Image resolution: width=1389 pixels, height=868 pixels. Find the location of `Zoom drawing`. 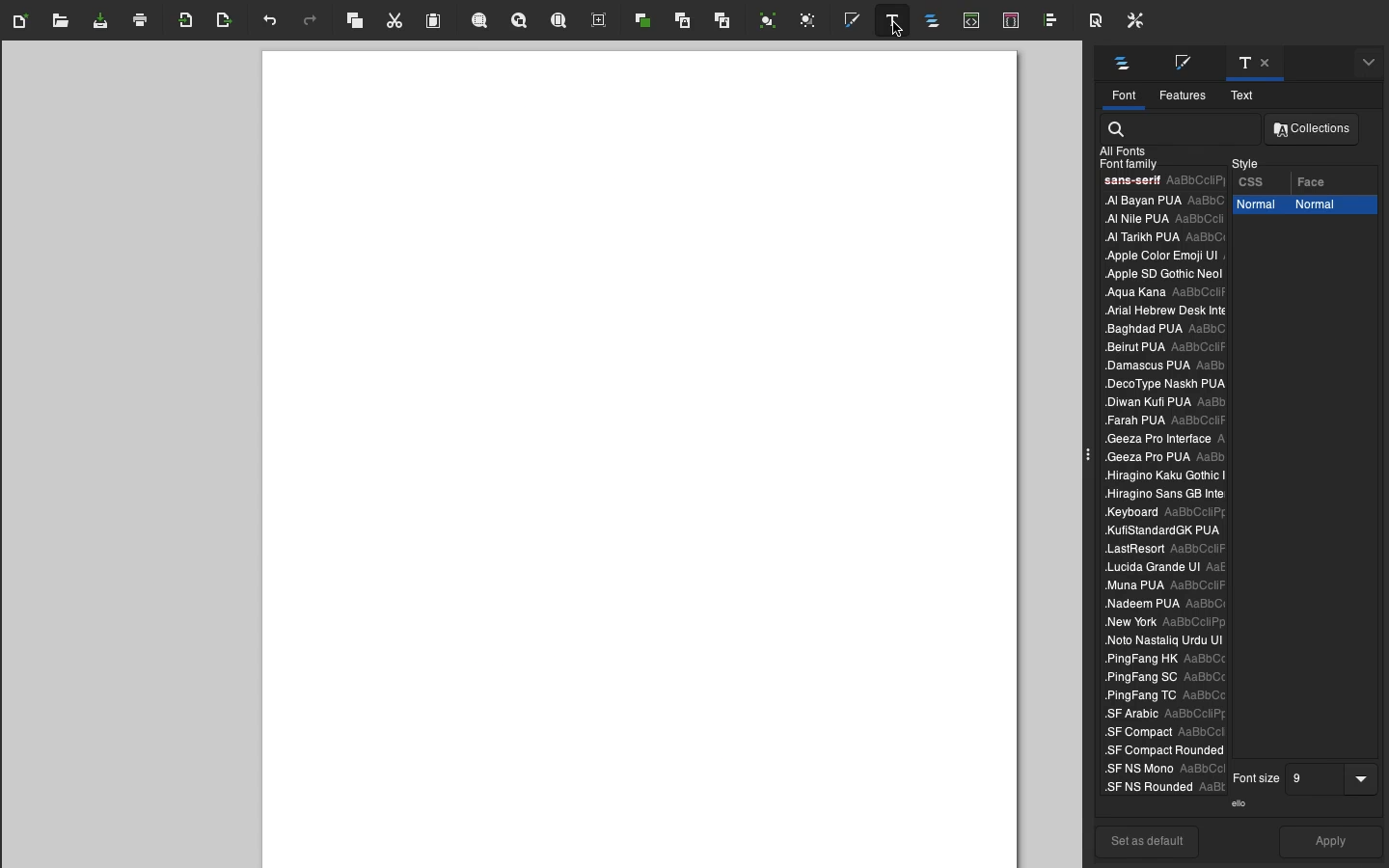

Zoom drawing is located at coordinates (521, 21).